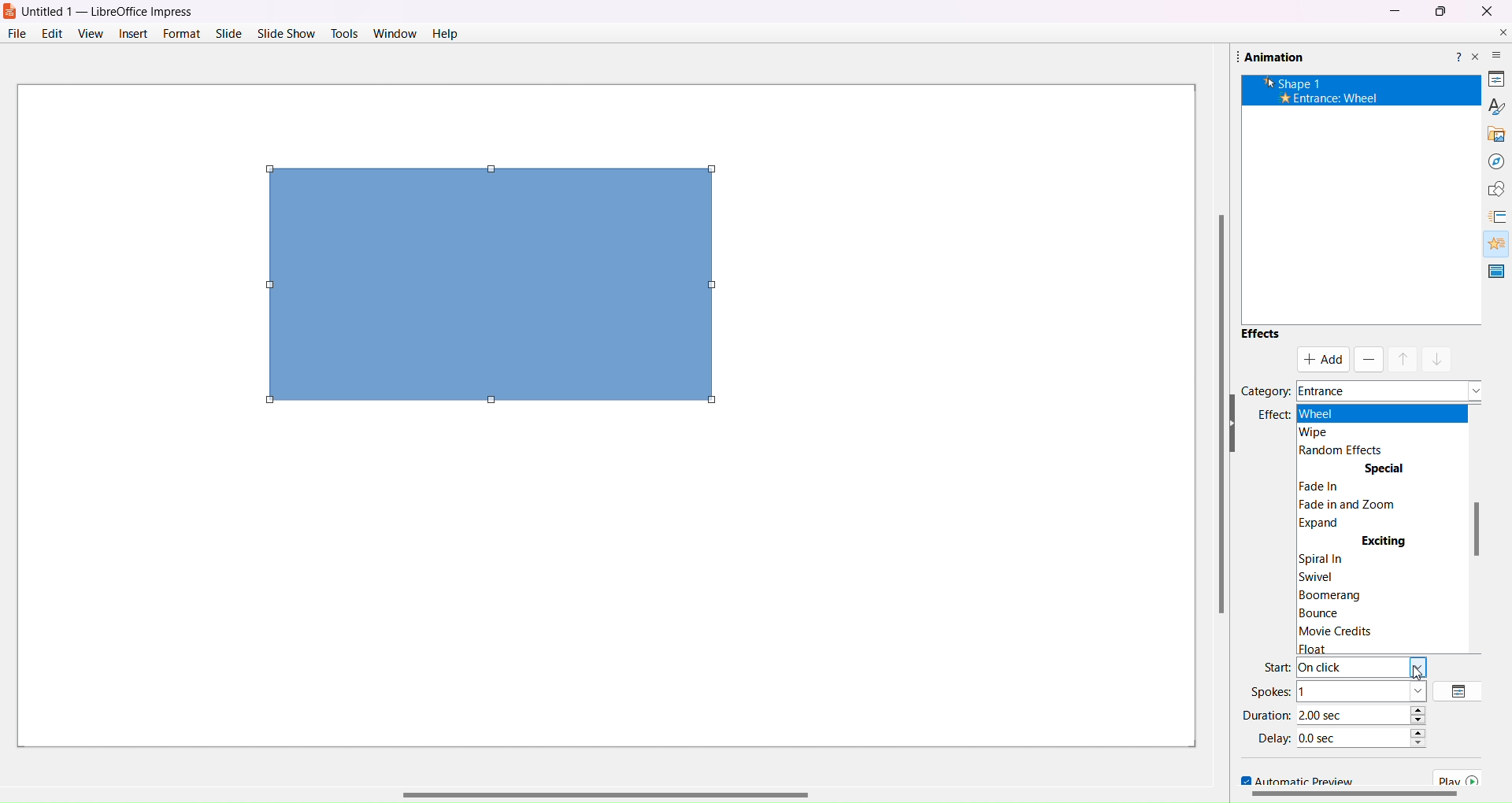 This screenshot has width=1512, height=803. What do you see at coordinates (1438, 357) in the screenshot?
I see `move down` at bounding box center [1438, 357].